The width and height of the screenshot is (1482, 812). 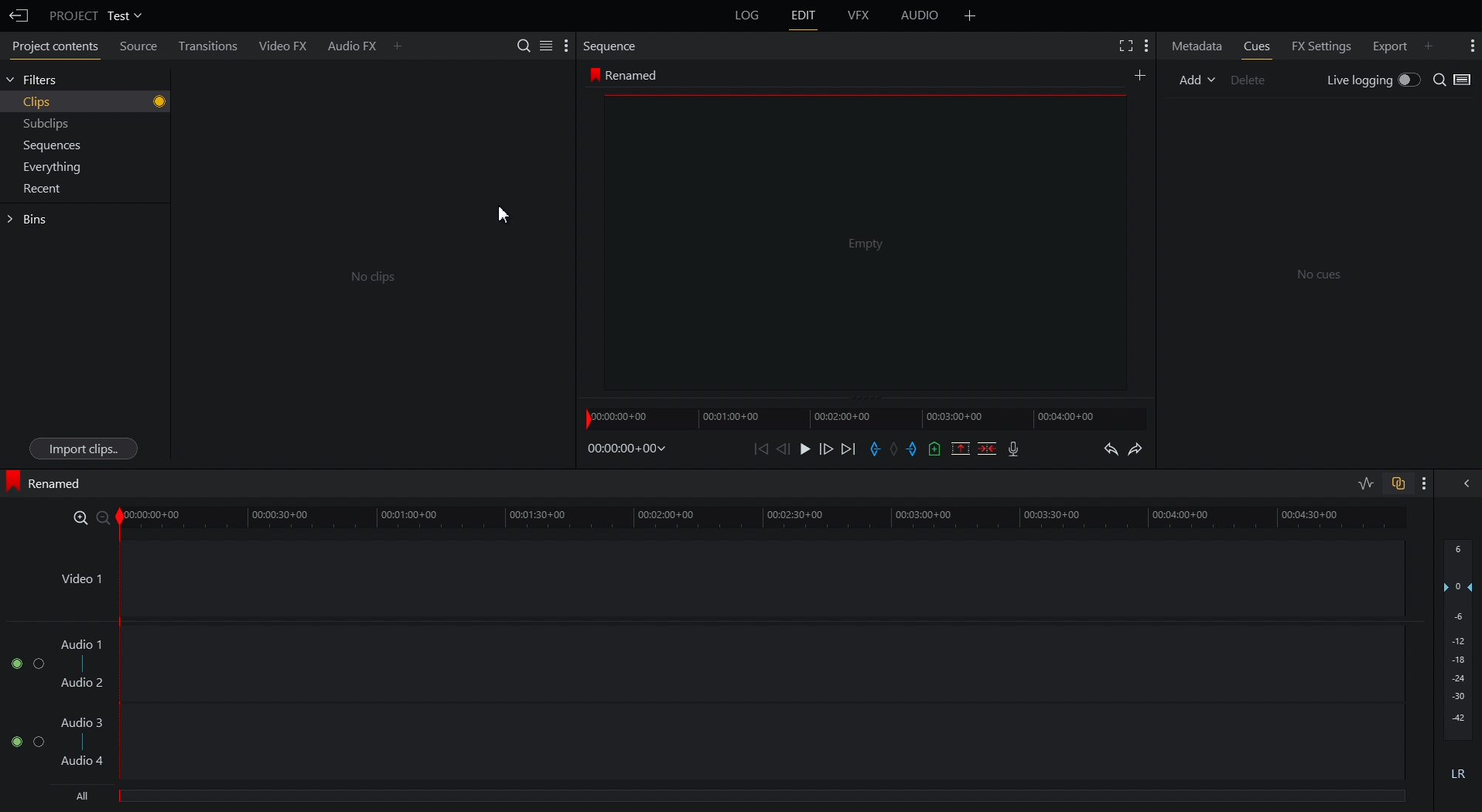 I want to click on Gins, so click(x=31, y=220).